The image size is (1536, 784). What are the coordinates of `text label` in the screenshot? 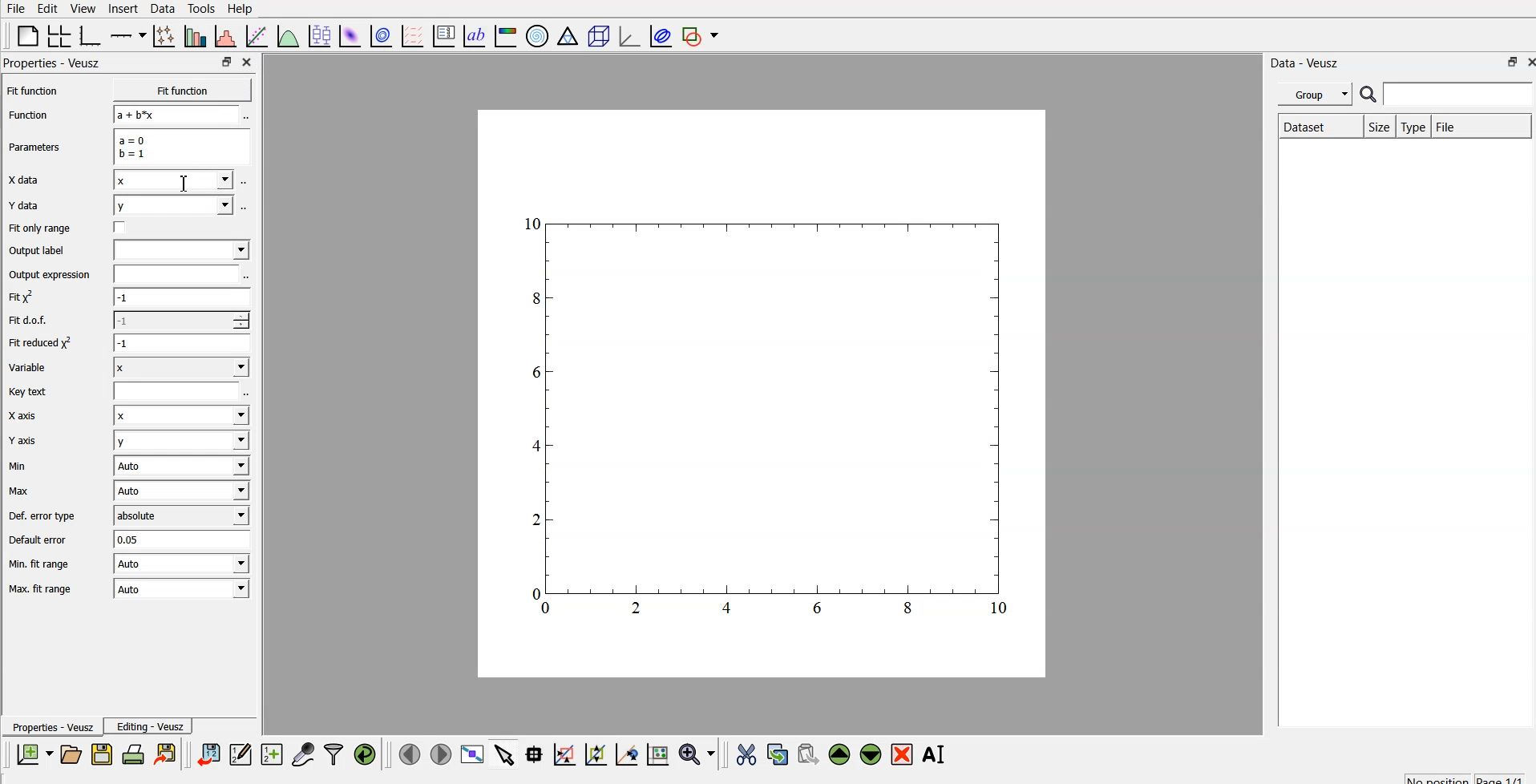 It's located at (473, 36).